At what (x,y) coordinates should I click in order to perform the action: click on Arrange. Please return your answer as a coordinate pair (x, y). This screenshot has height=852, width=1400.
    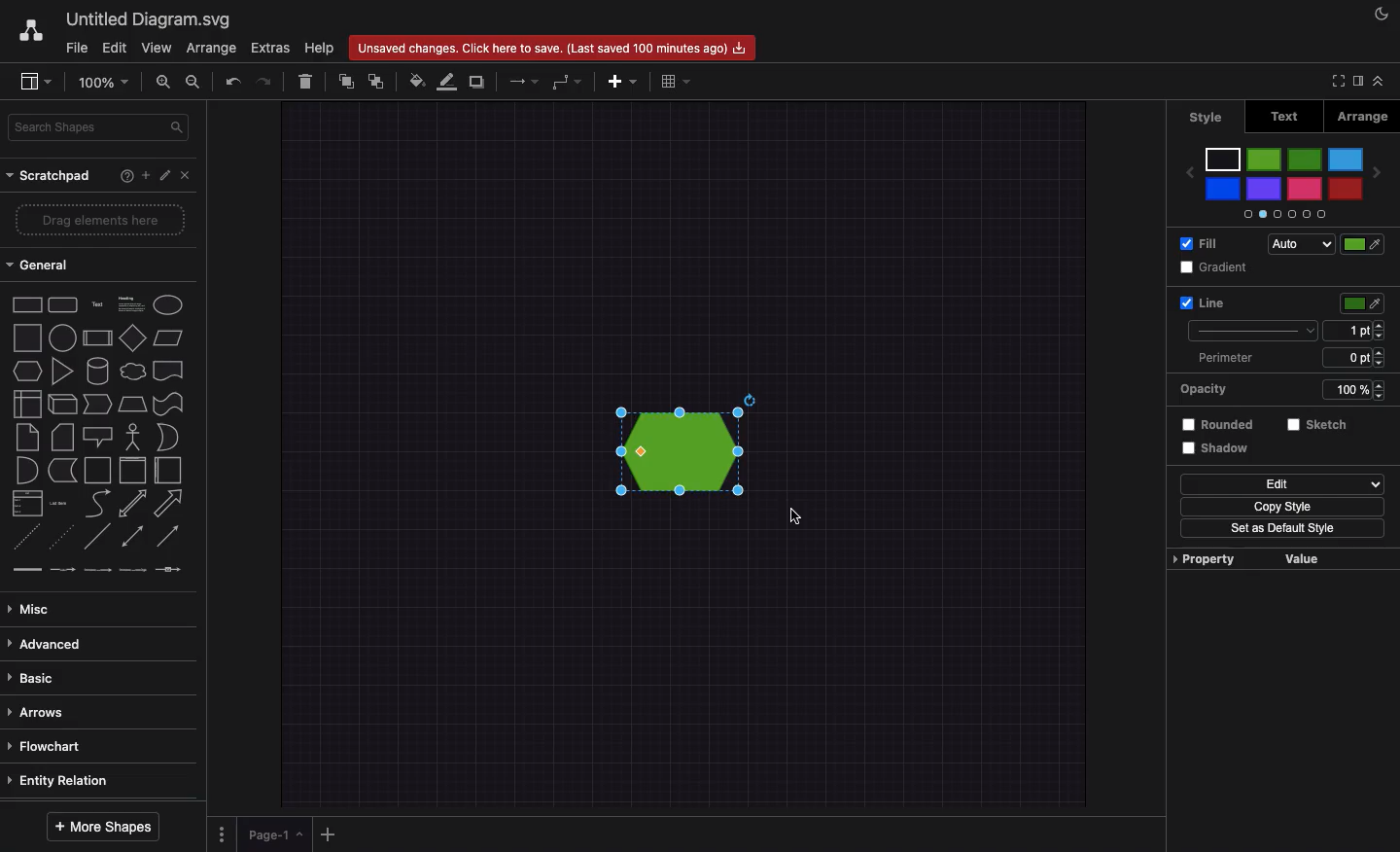
    Looking at the image, I should click on (1361, 116).